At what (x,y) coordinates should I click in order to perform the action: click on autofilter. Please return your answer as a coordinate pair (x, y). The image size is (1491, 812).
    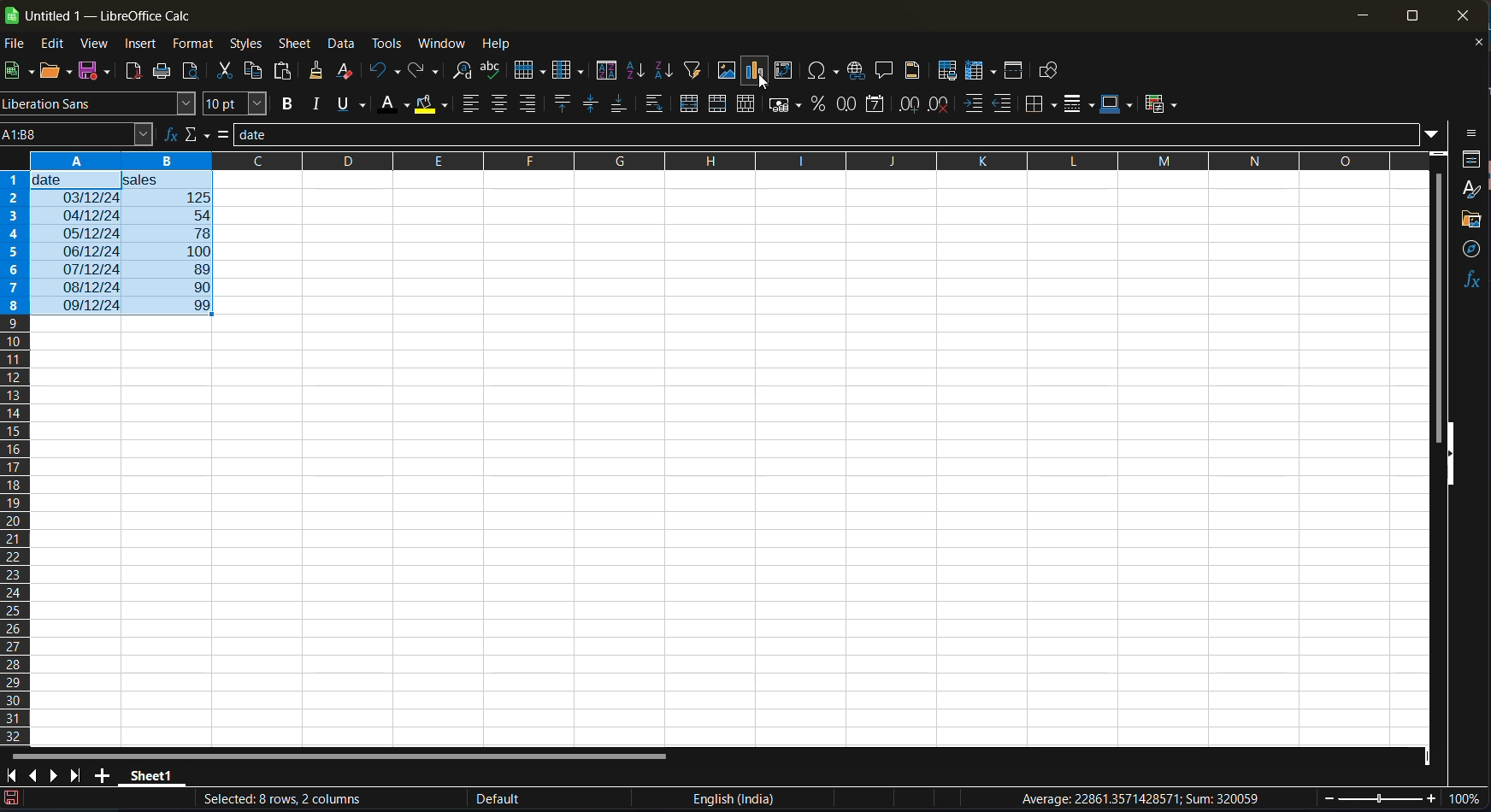
    Looking at the image, I should click on (691, 71).